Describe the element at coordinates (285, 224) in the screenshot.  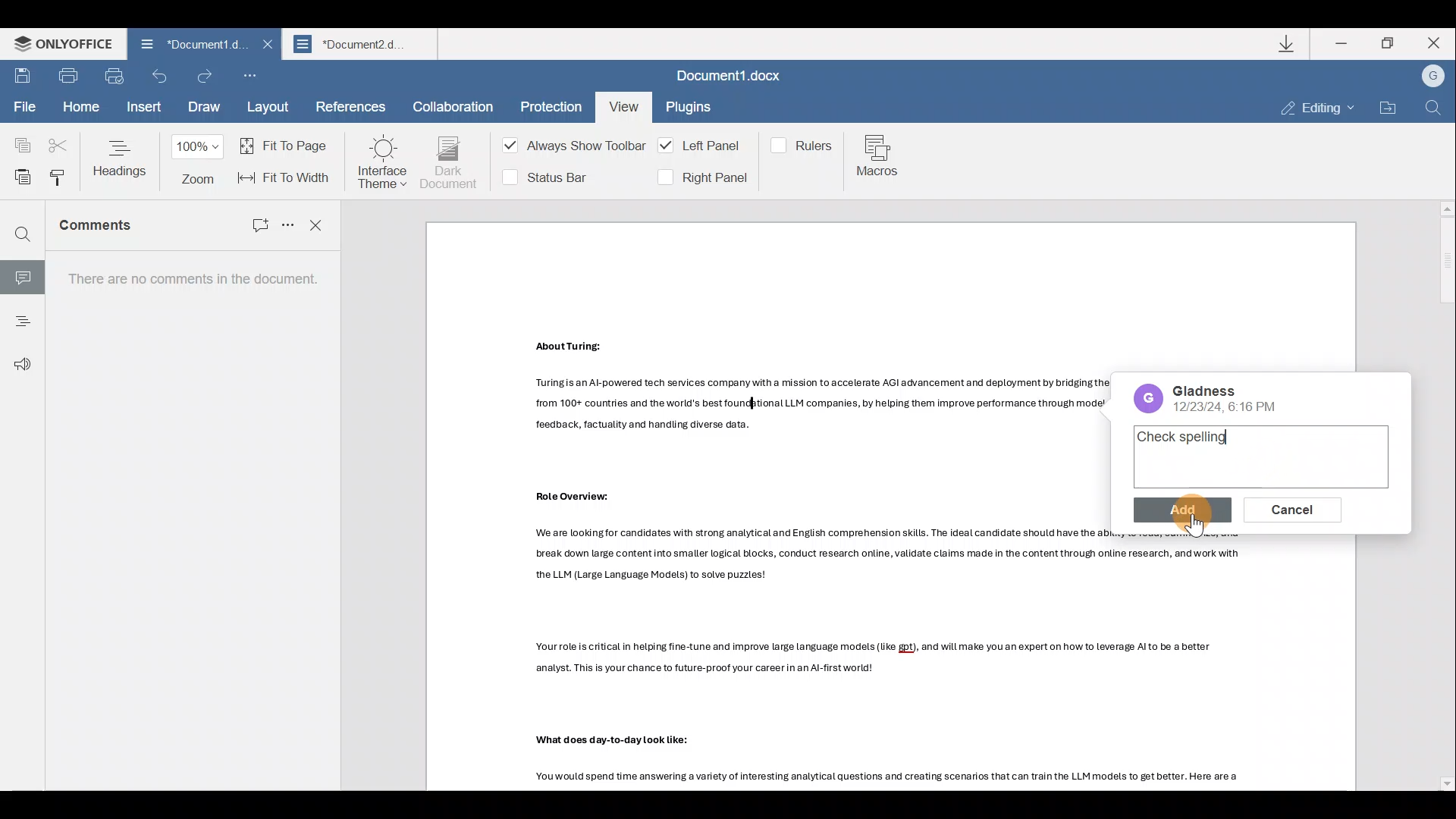
I see `Sort and more` at that location.